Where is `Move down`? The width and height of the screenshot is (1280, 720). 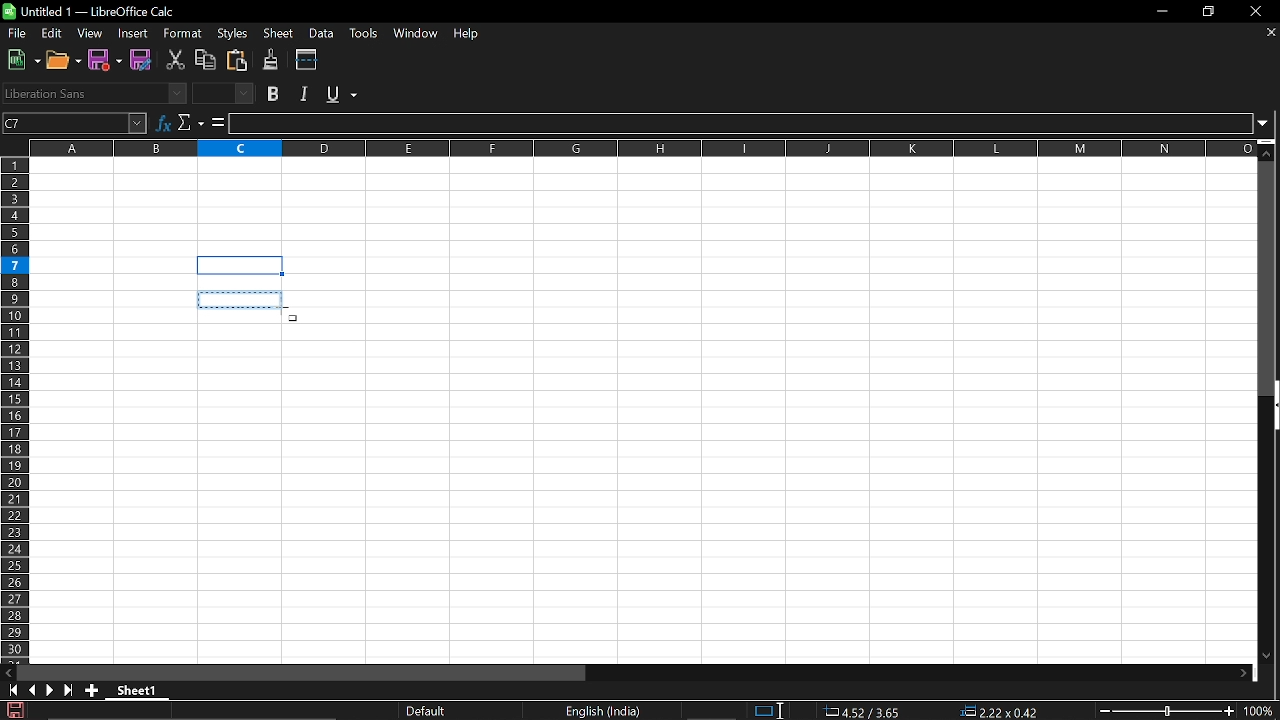
Move down is located at coordinates (1269, 149).